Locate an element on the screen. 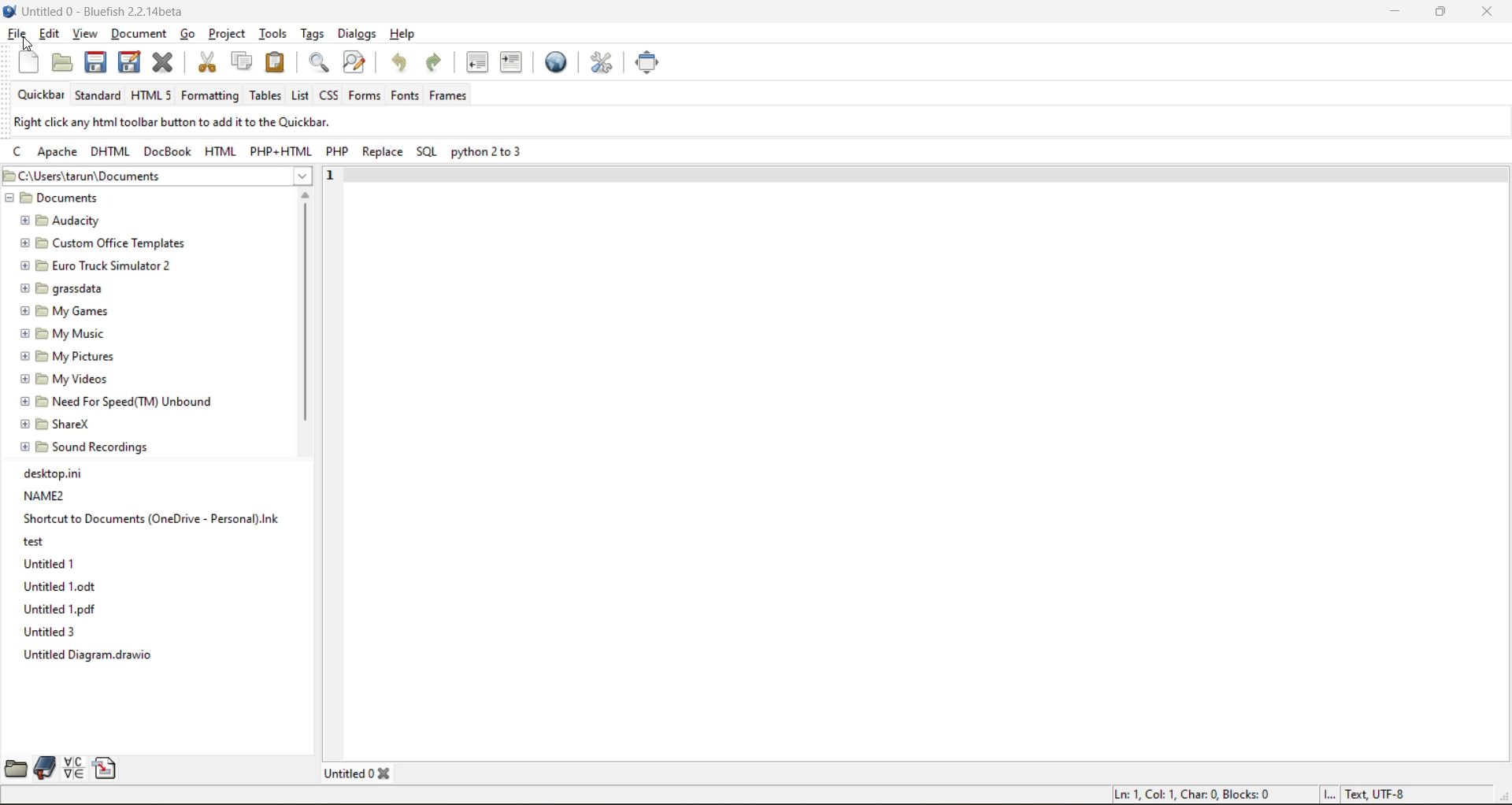 This screenshot has width=1512, height=805. php is located at coordinates (341, 154).